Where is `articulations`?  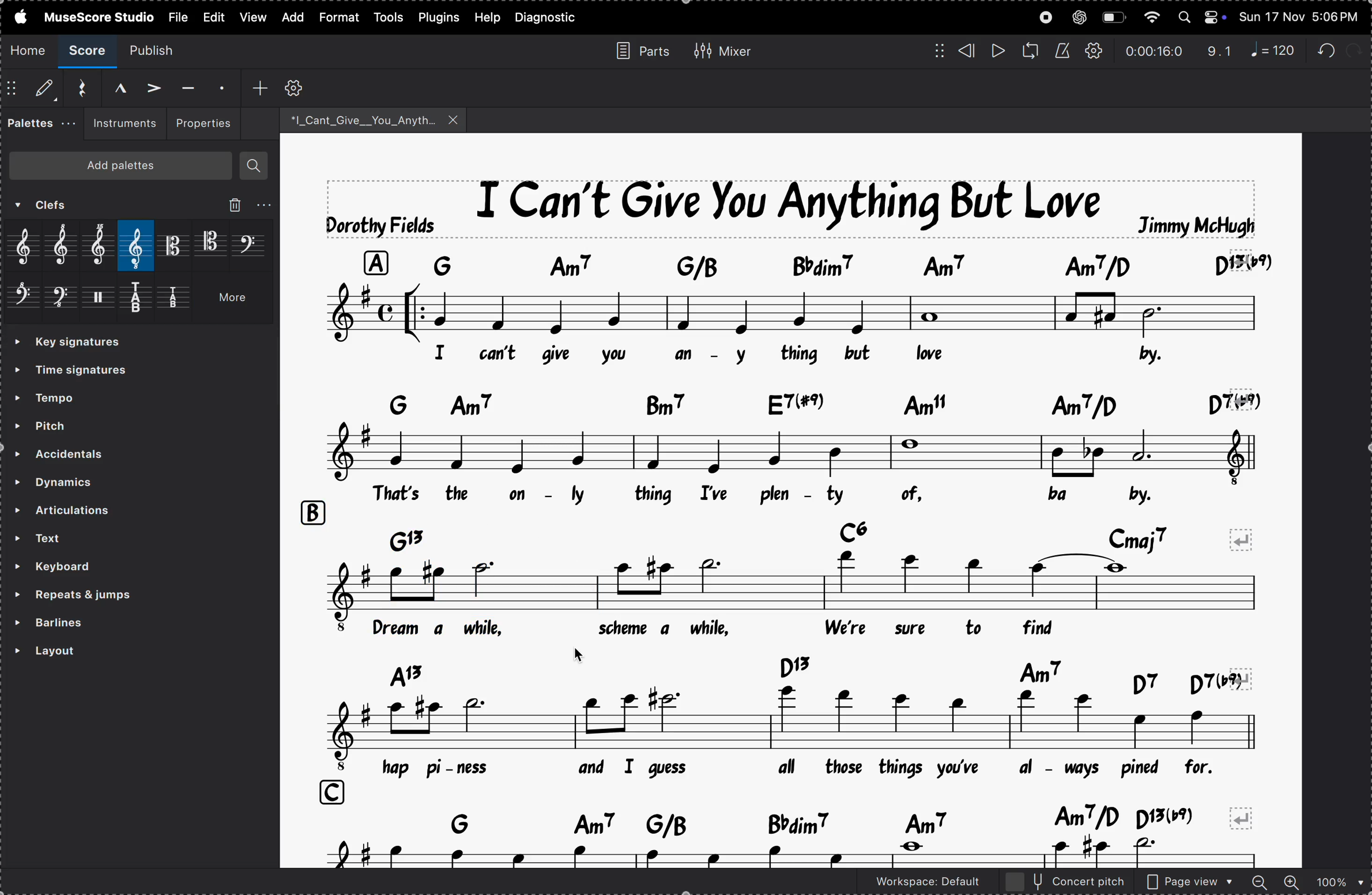 articulations is located at coordinates (121, 512).